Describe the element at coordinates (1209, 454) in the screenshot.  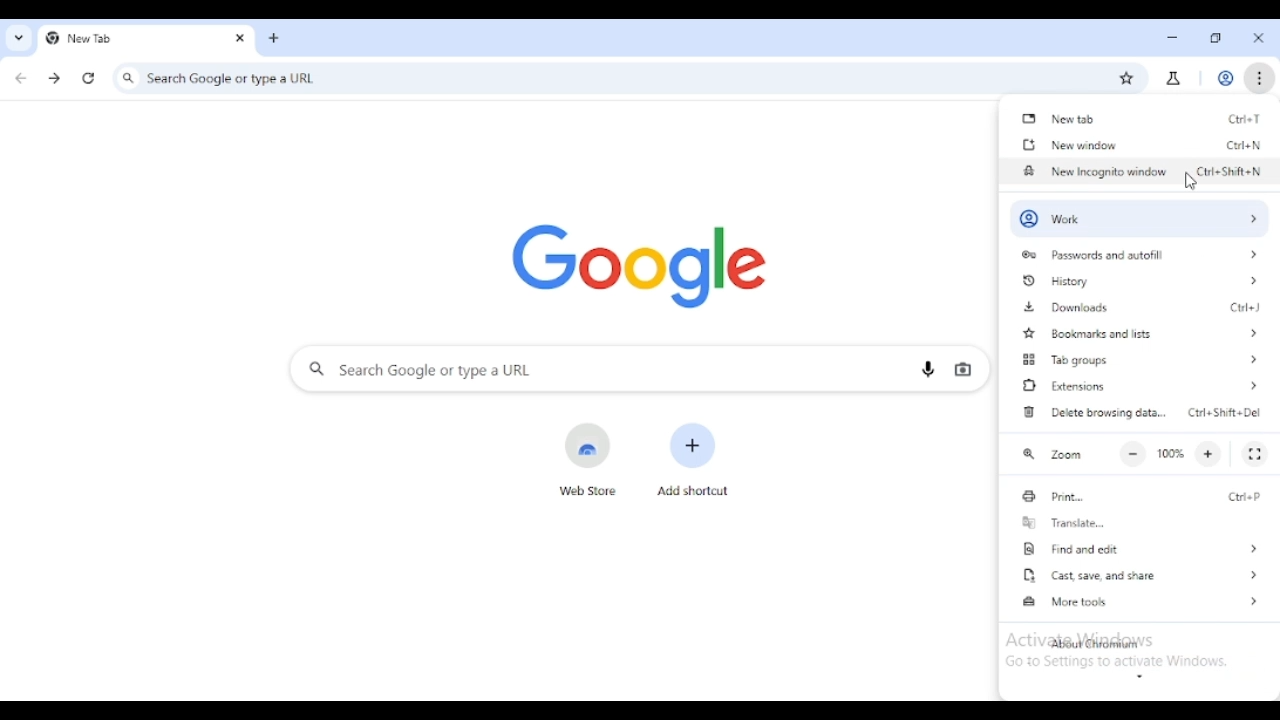
I see `make text larger` at that location.